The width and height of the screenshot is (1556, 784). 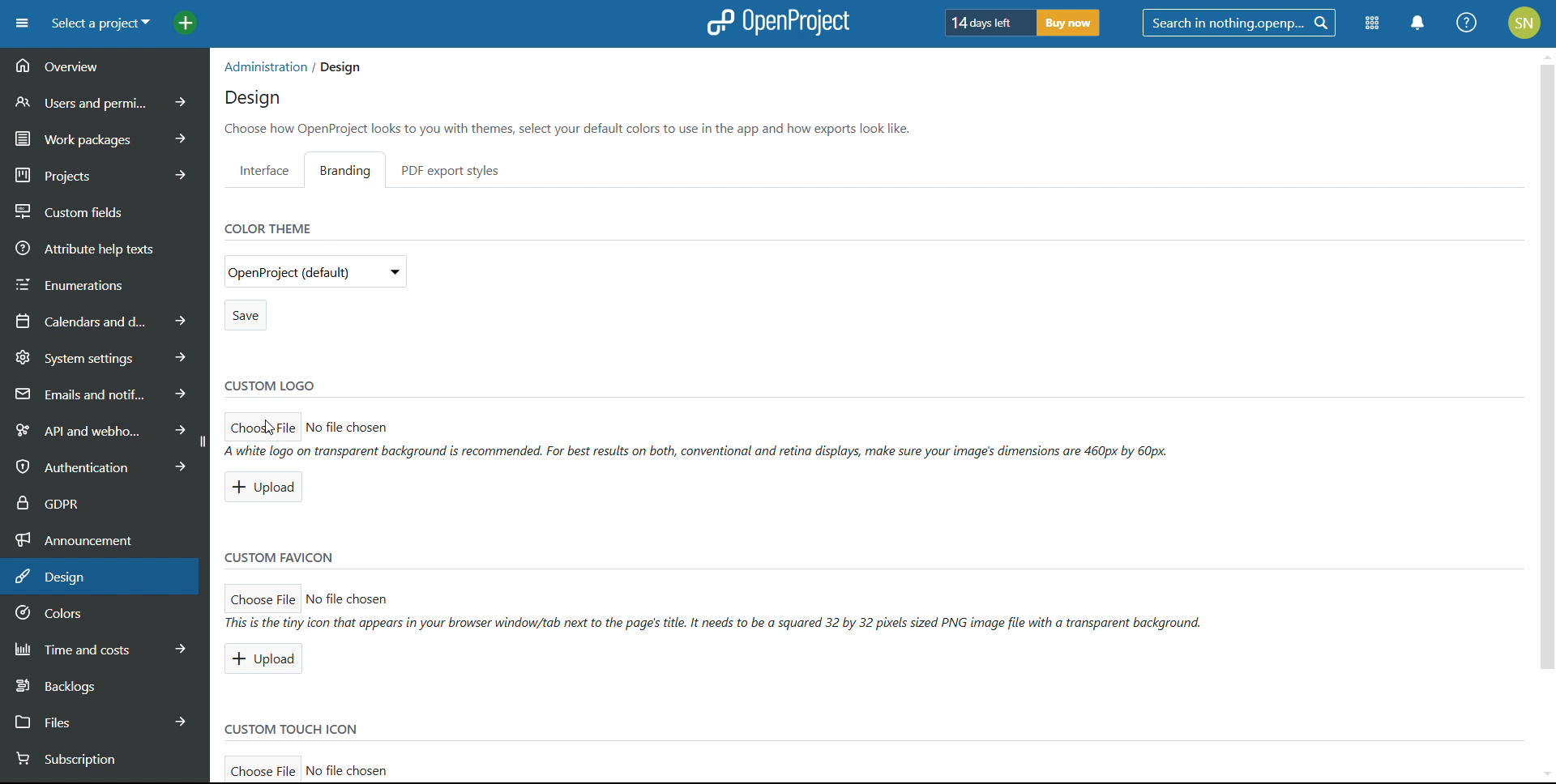 I want to click on custom touch icon, so click(x=294, y=730).